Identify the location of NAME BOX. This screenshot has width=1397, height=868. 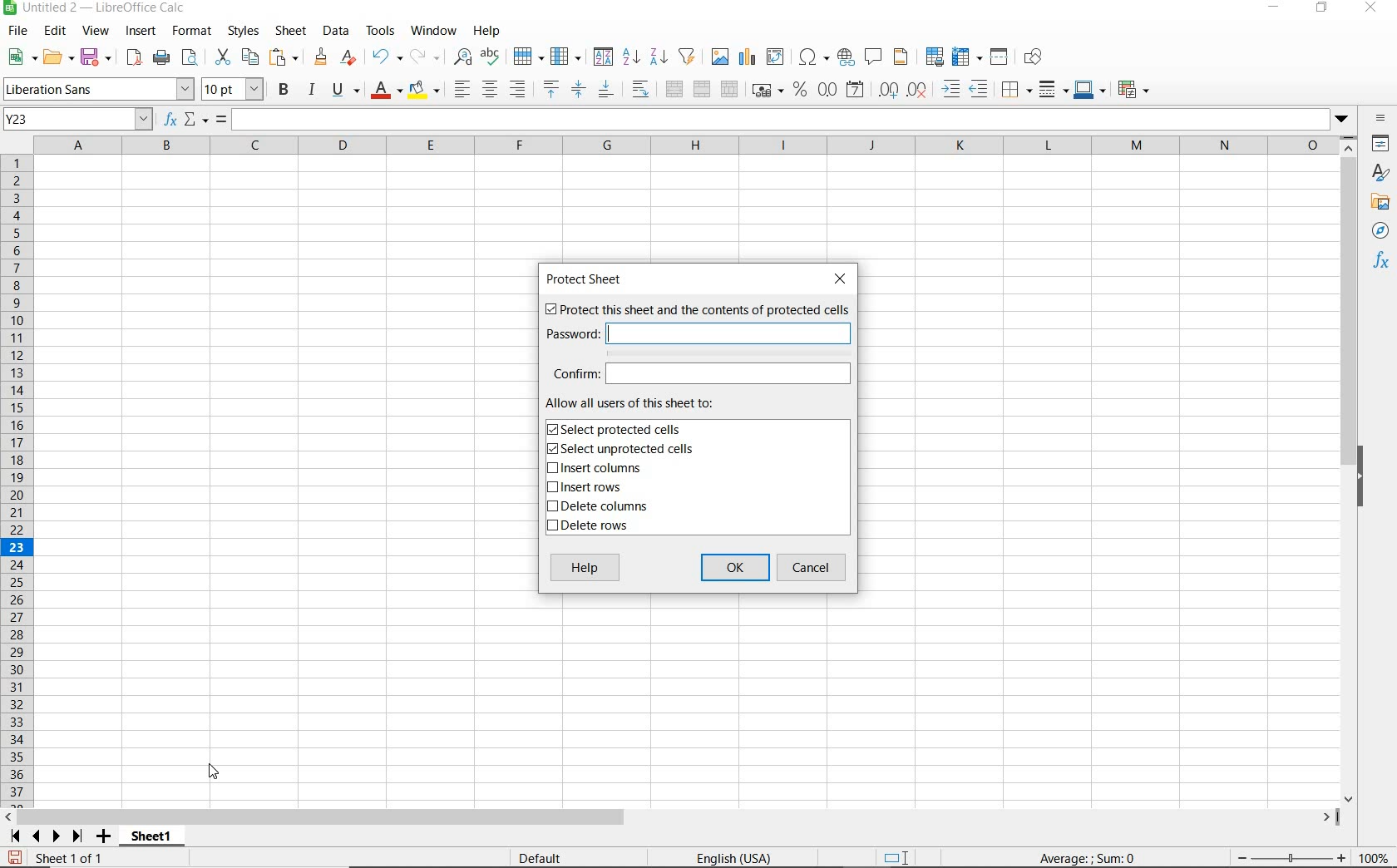
(78, 120).